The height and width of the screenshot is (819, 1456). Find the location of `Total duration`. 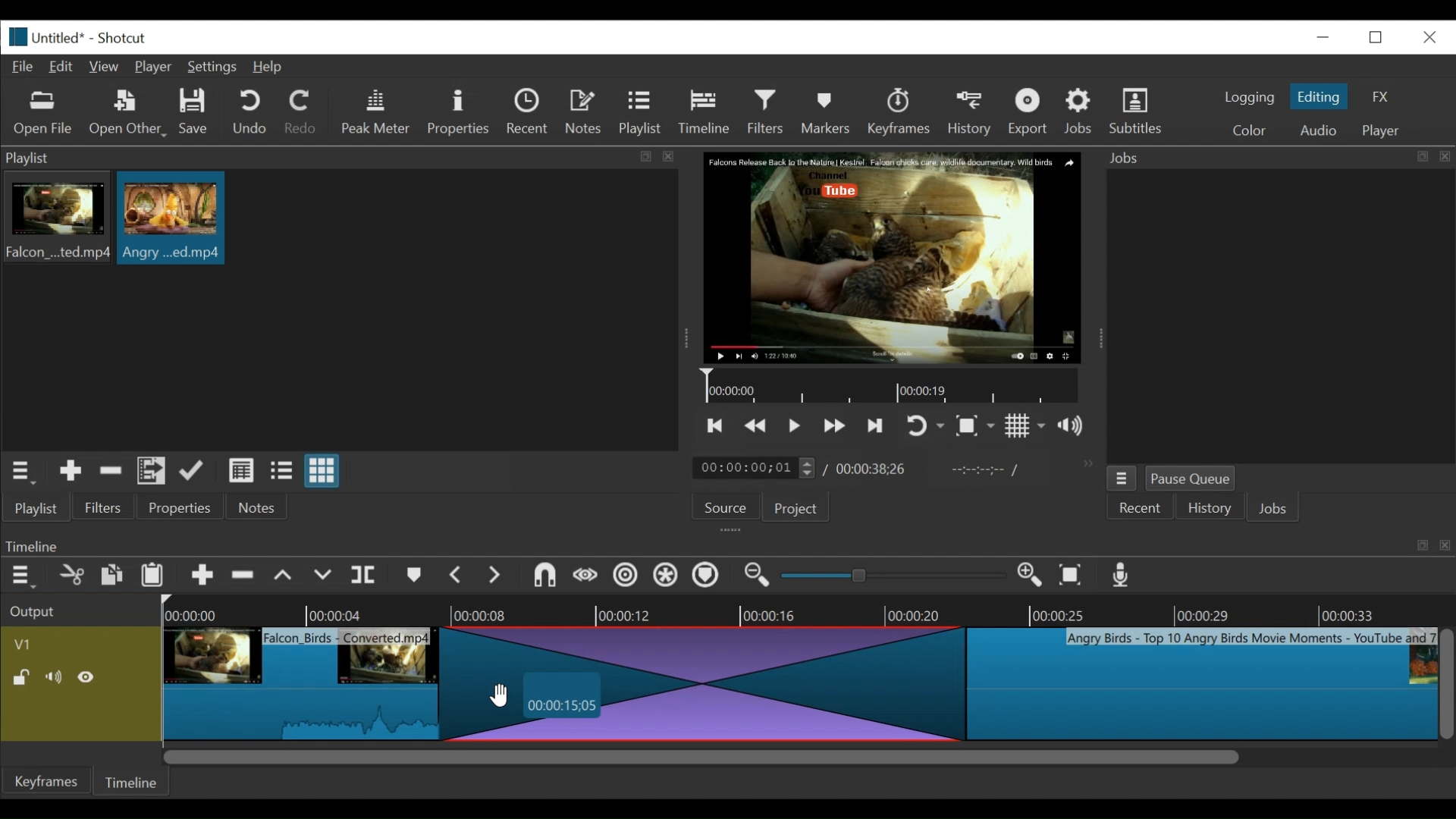

Total duration is located at coordinates (876, 469).